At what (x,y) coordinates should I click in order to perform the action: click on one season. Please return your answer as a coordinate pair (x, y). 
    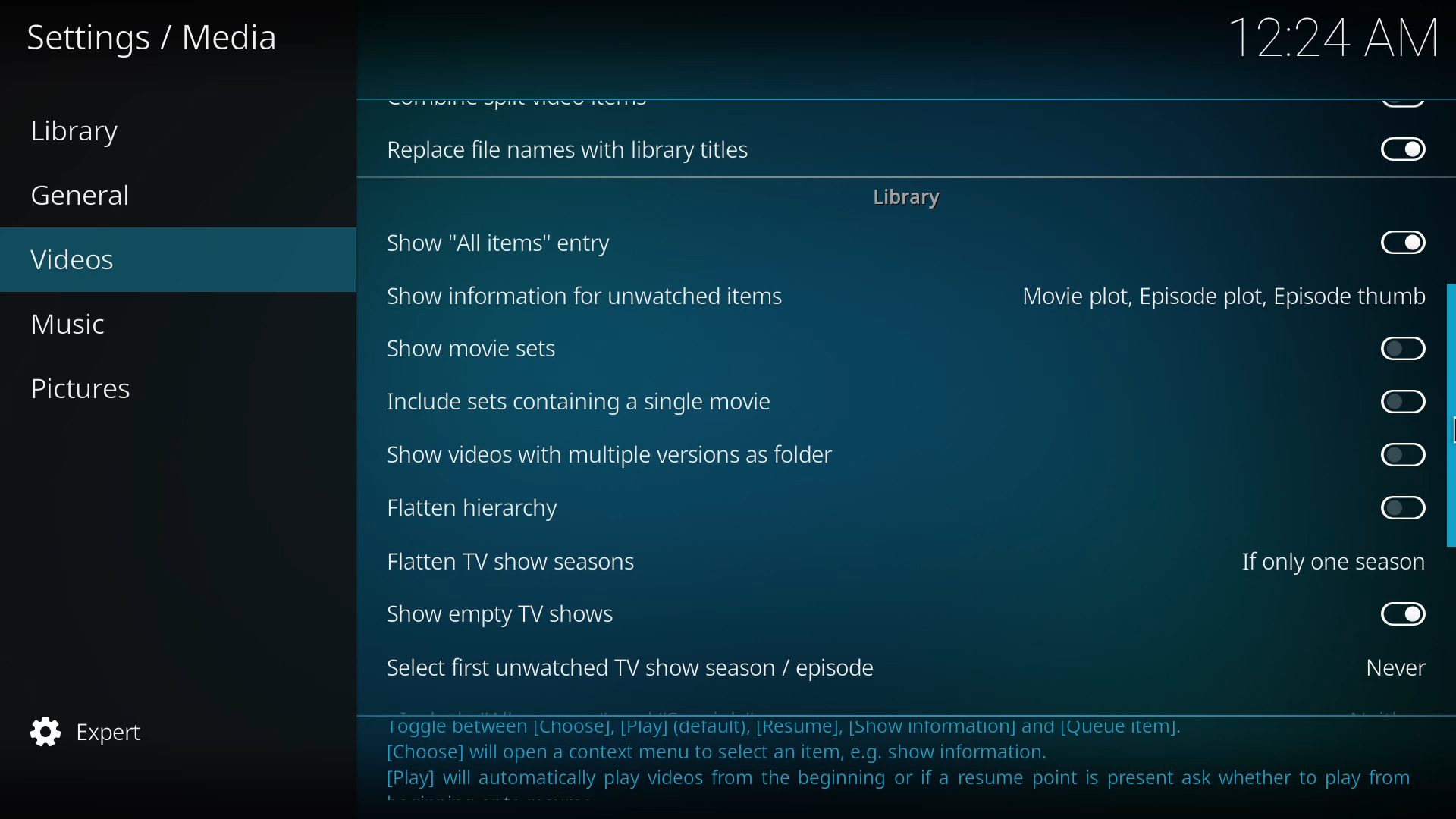
    Looking at the image, I should click on (1332, 560).